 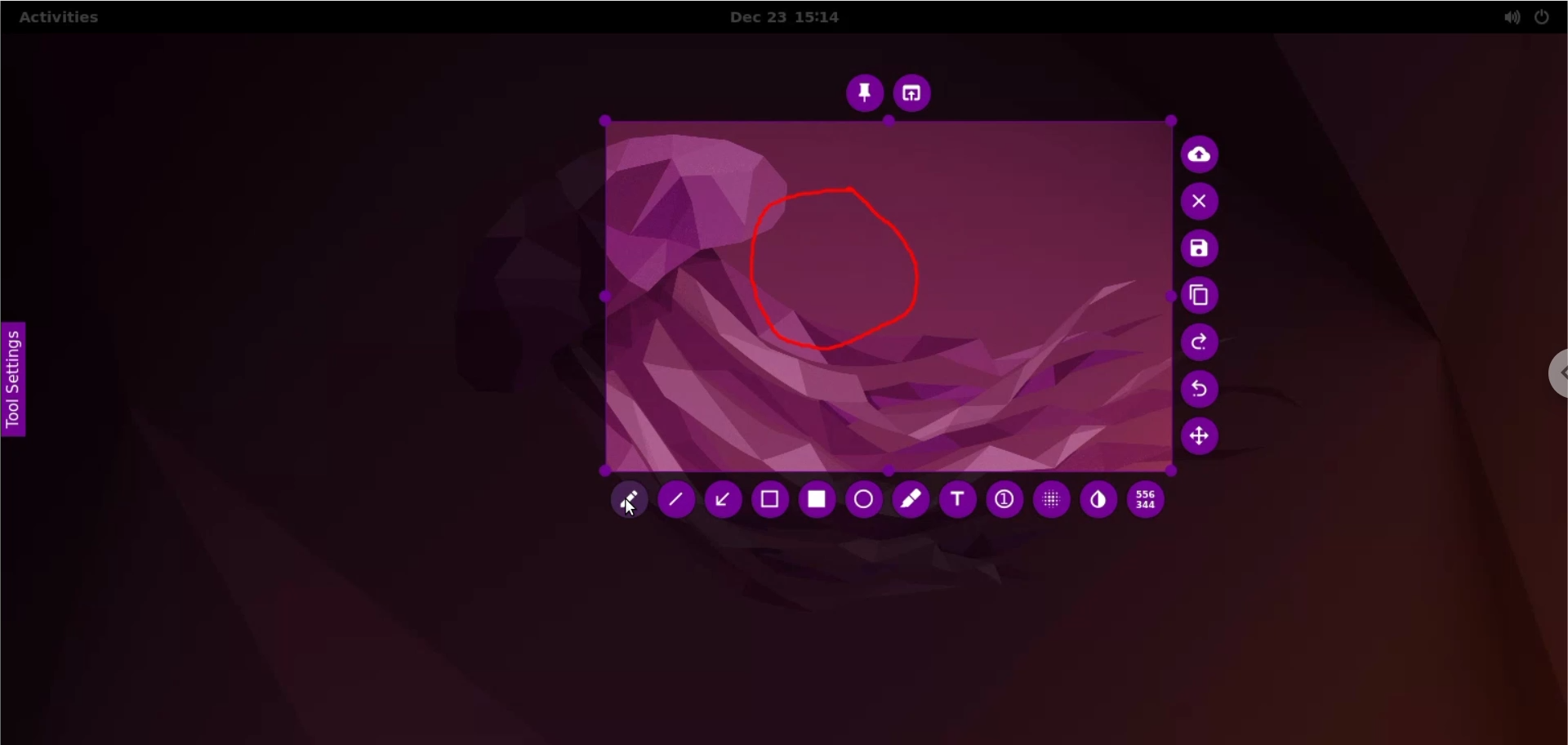 What do you see at coordinates (727, 499) in the screenshot?
I see `arrow` at bounding box center [727, 499].